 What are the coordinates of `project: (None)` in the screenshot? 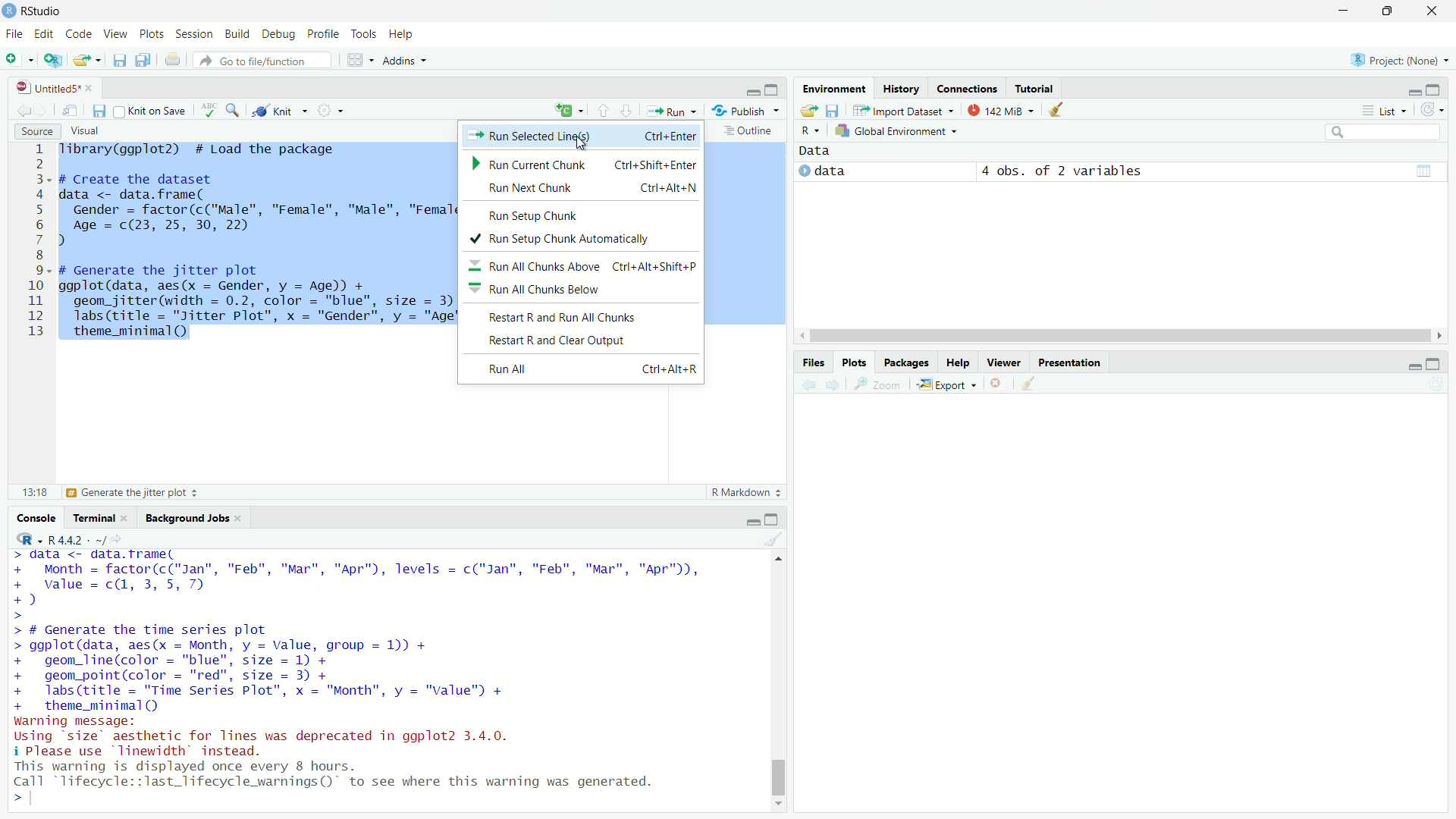 It's located at (1398, 60).